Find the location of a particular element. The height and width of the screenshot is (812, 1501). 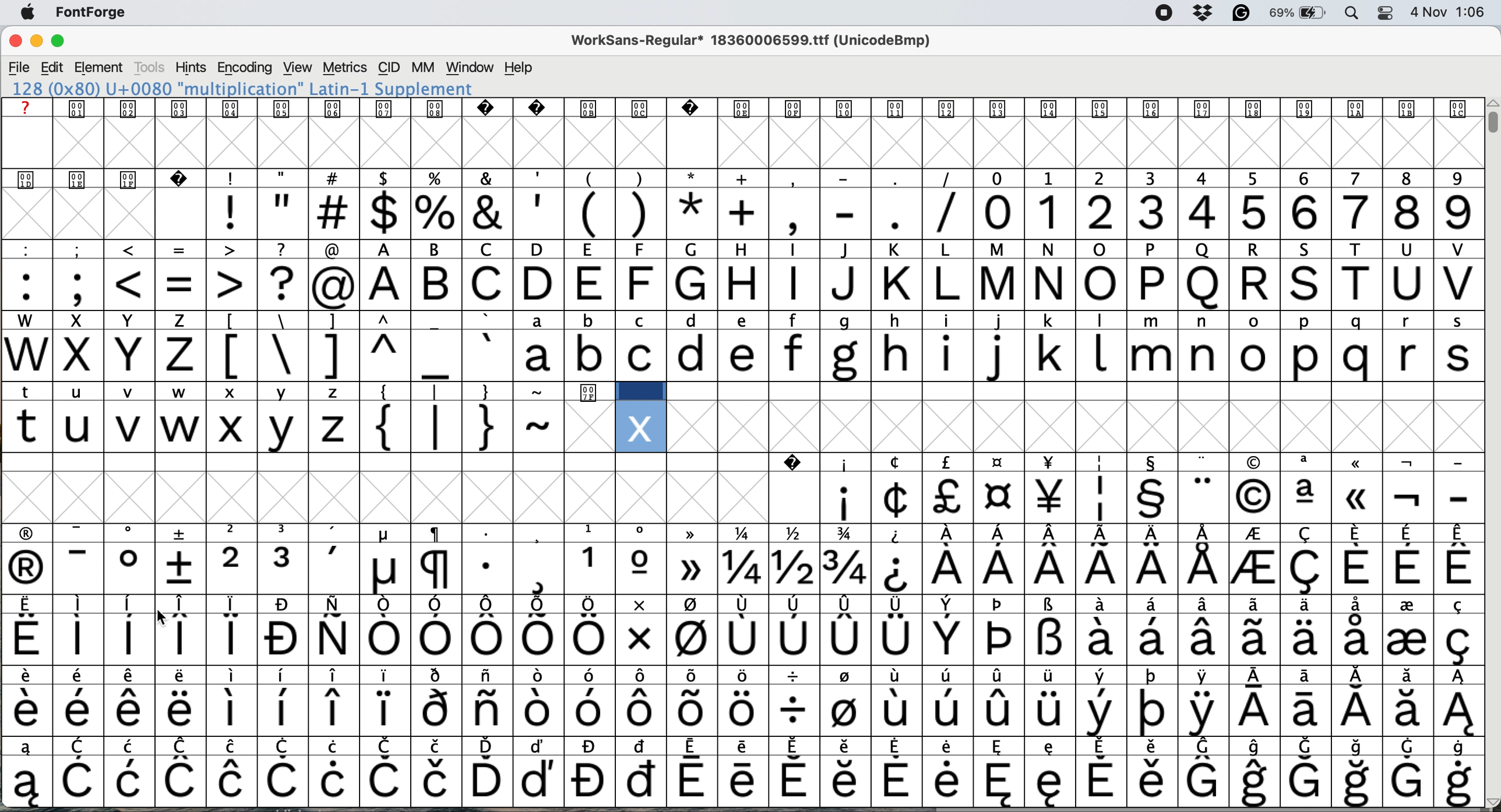

encoding is located at coordinates (244, 68).